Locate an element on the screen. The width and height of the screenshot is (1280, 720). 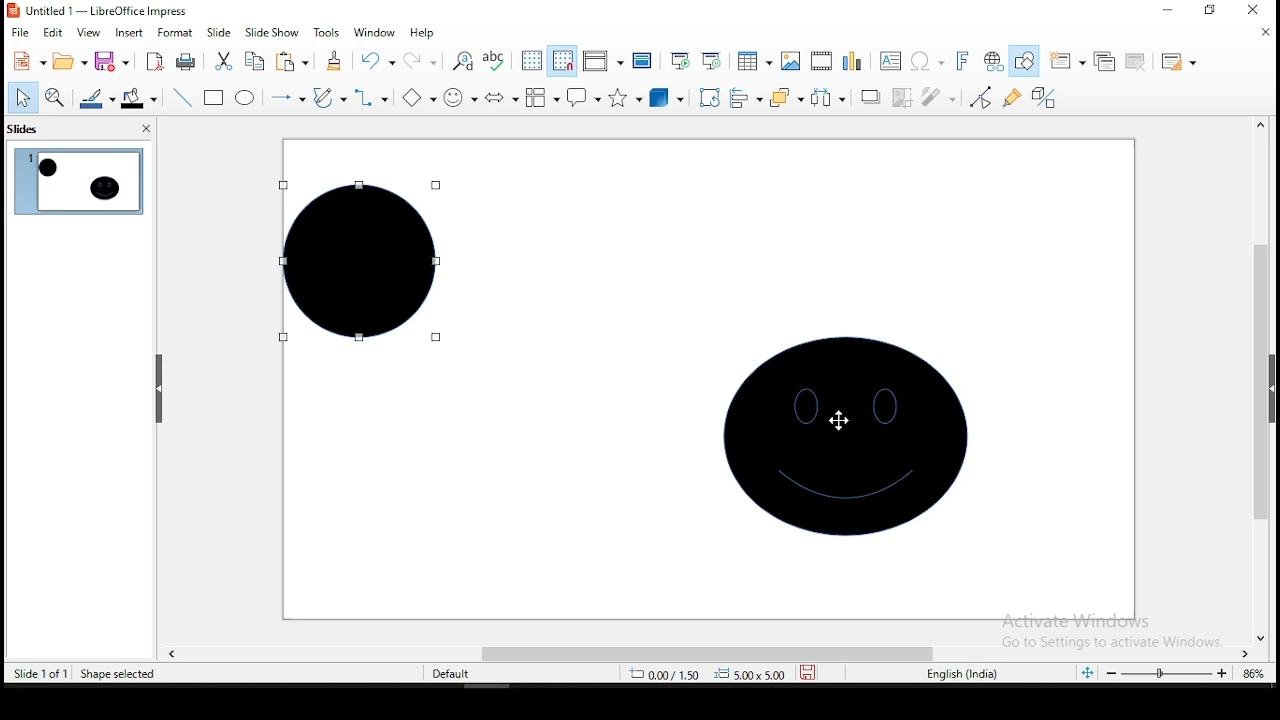
symbol shapes is located at coordinates (458, 97).